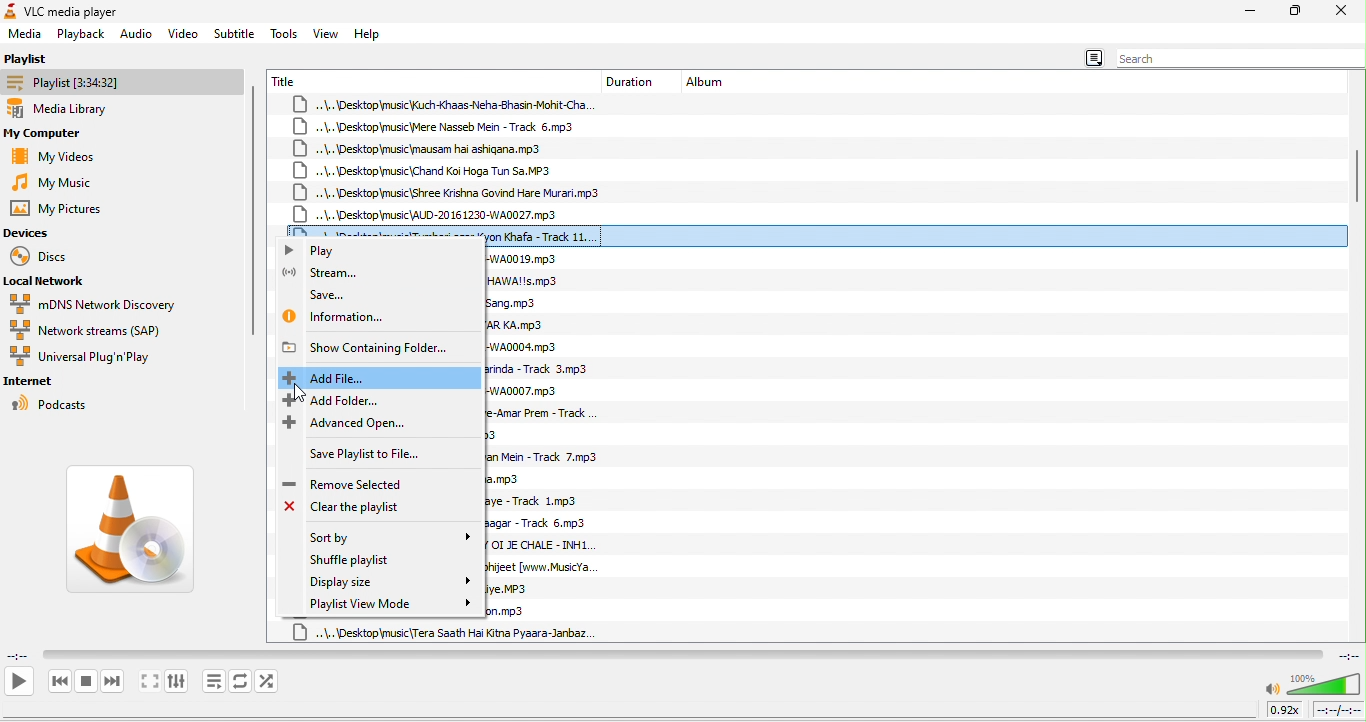 This screenshot has height=722, width=1366. Describe the element at coordinates (269, 681) in the screenshot. I see `random` at that location.